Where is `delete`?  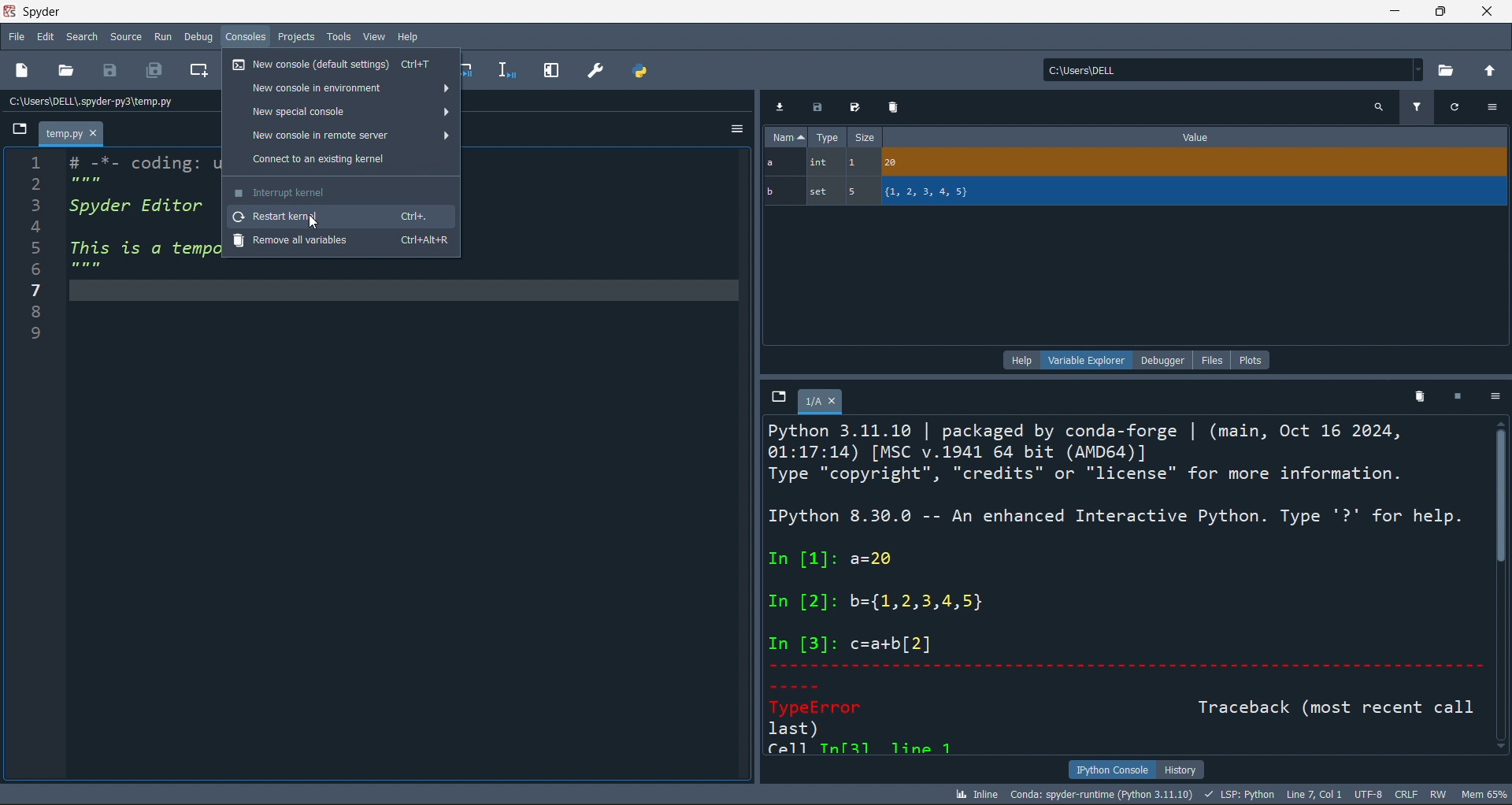
delete is located at coordinates (895, 107).